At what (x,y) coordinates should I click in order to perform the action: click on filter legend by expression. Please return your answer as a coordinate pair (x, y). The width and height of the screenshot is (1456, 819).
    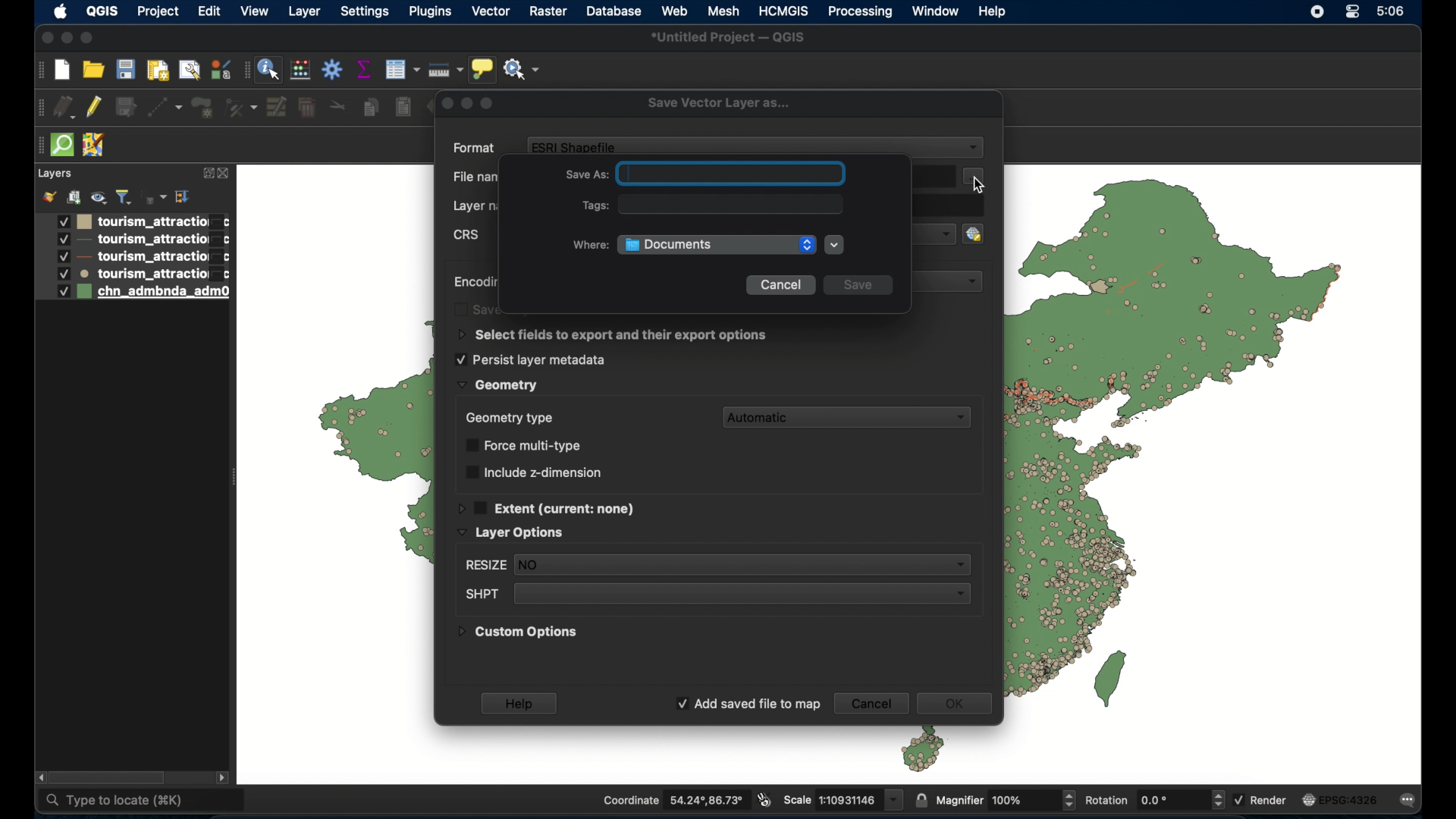
    Looking at the image, I should click on (154, 195).